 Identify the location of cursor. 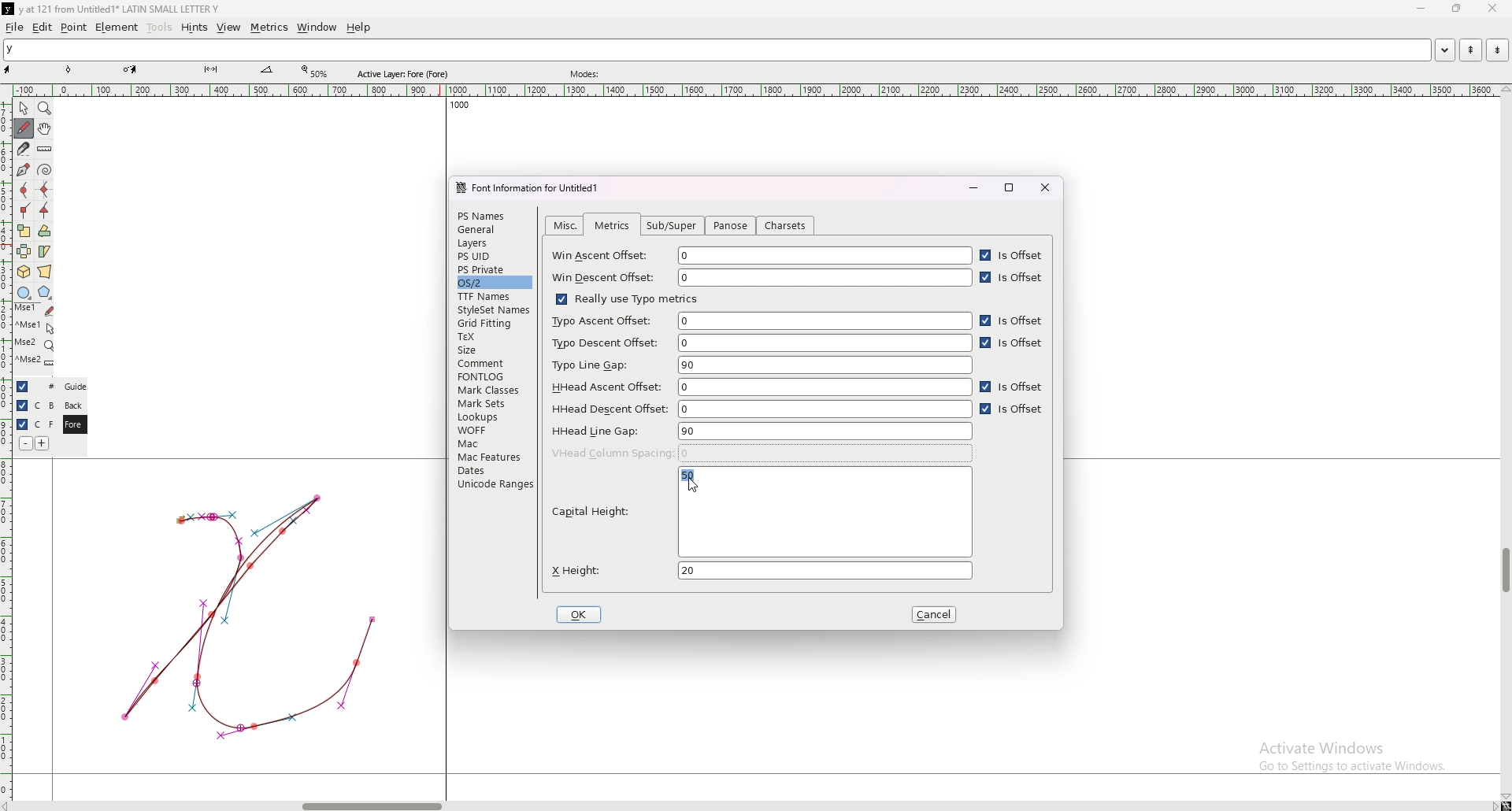
(691, 485).